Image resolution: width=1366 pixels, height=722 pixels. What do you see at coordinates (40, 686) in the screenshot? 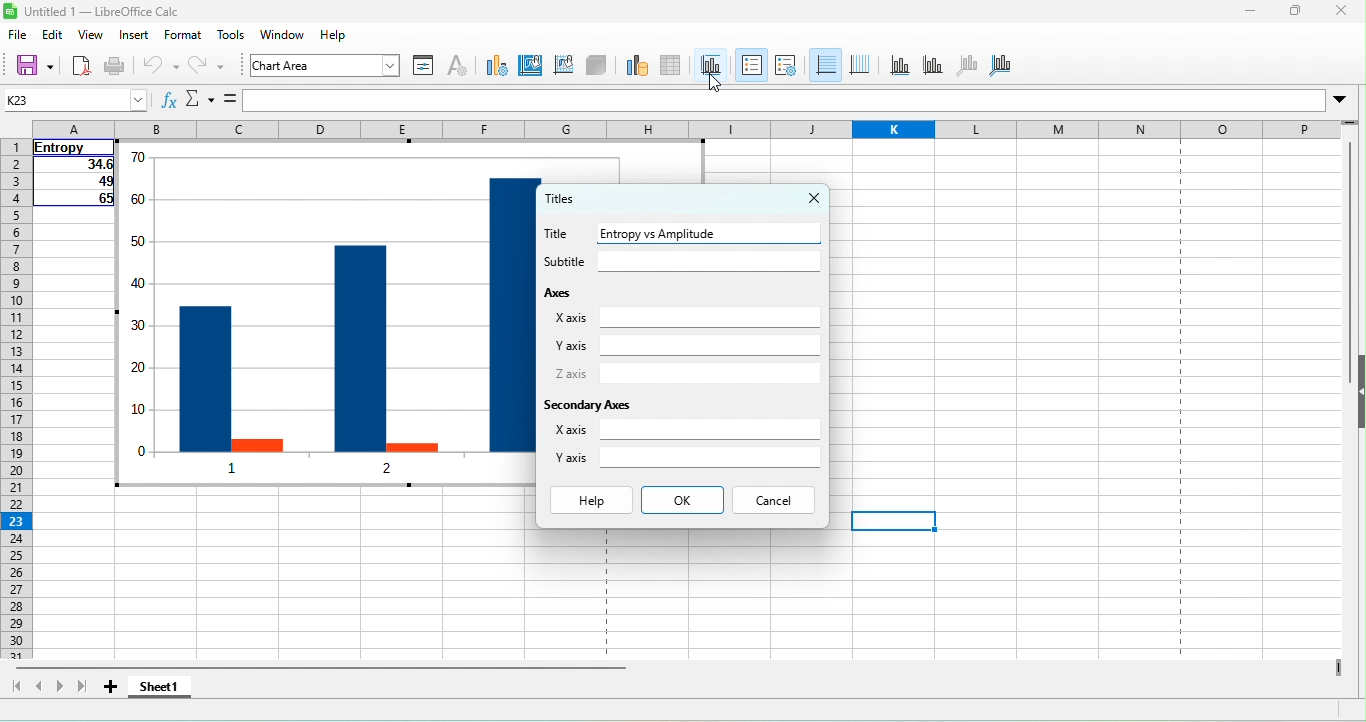
I see `scroll to previous sheet` at bounding box center [40, 686].